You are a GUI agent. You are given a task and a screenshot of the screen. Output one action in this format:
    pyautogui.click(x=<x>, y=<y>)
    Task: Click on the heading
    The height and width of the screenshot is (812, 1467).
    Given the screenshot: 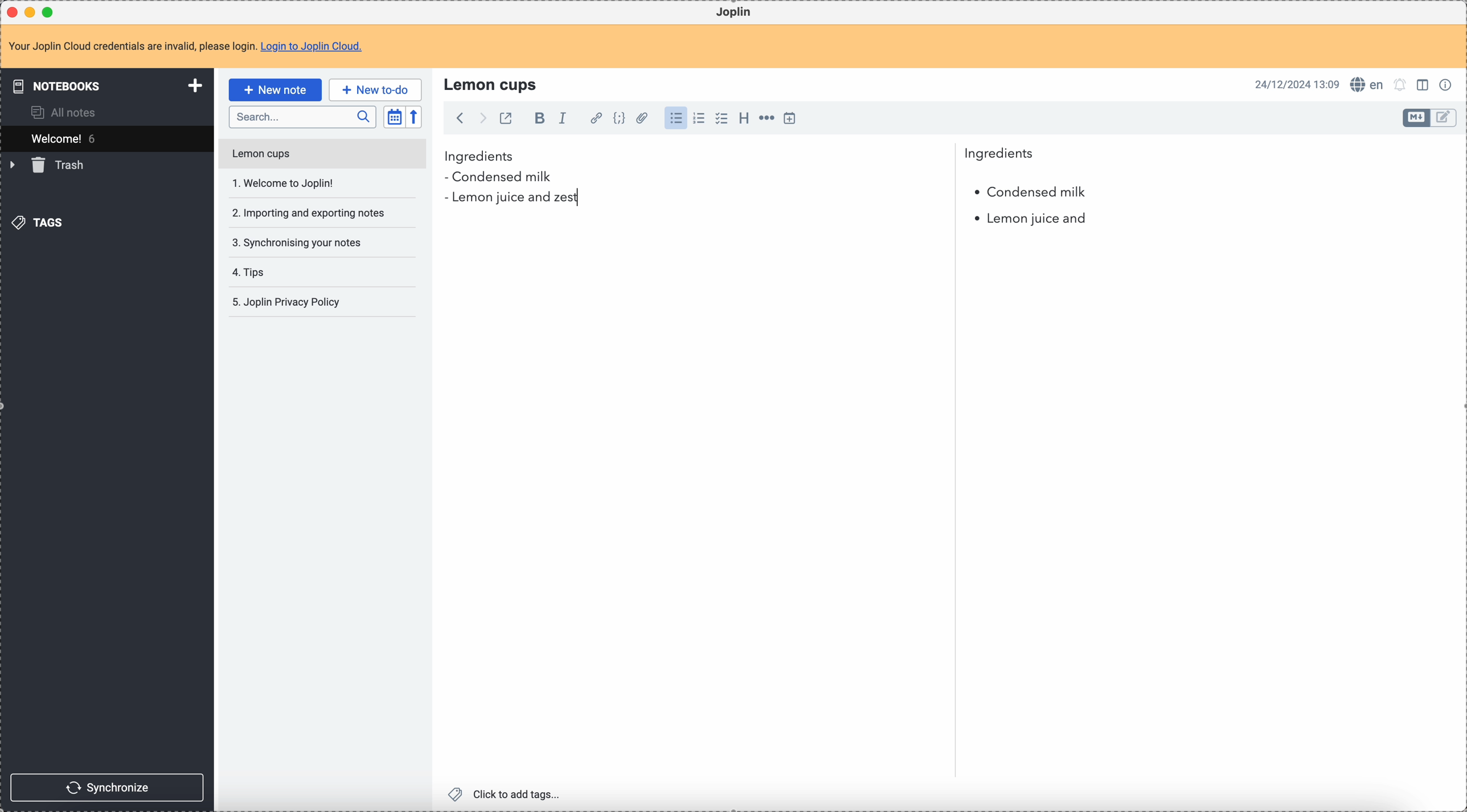 What is the action you would take?
    pyautogui.click(x=744, y=117)
    